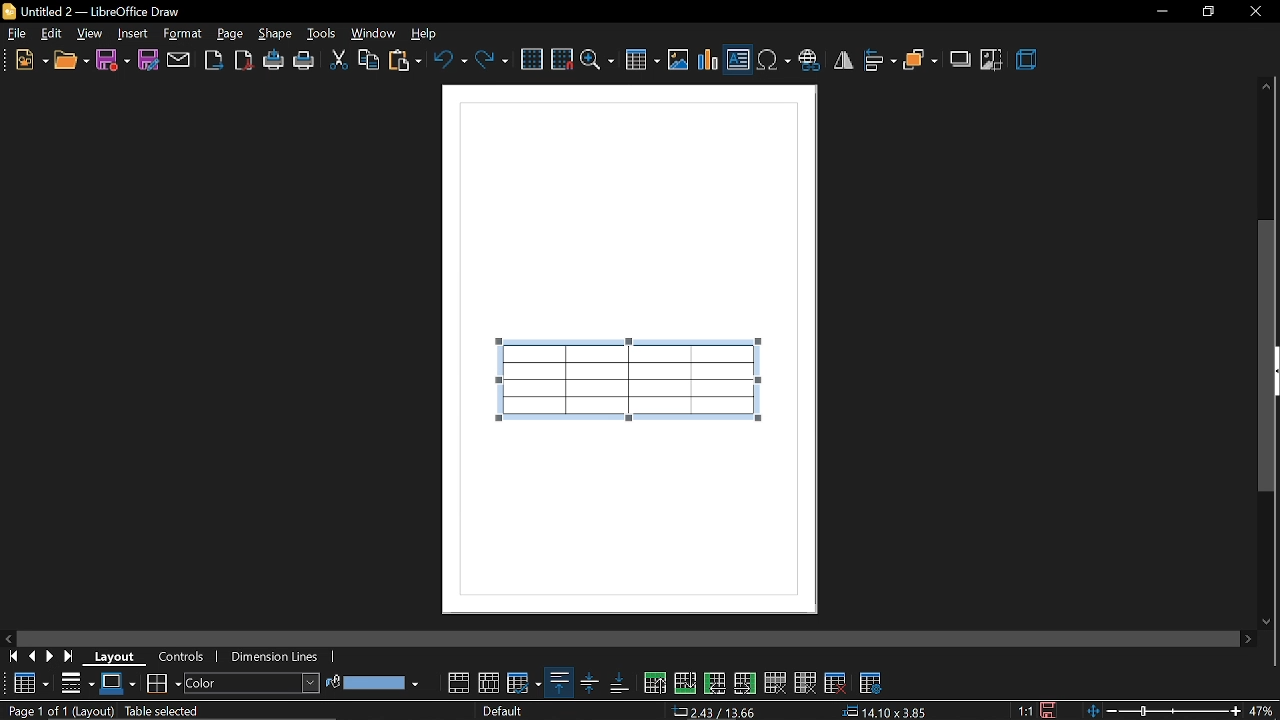  Describe the element at coordinates (842, 58) in the screenshot. I see `flip` at that location.